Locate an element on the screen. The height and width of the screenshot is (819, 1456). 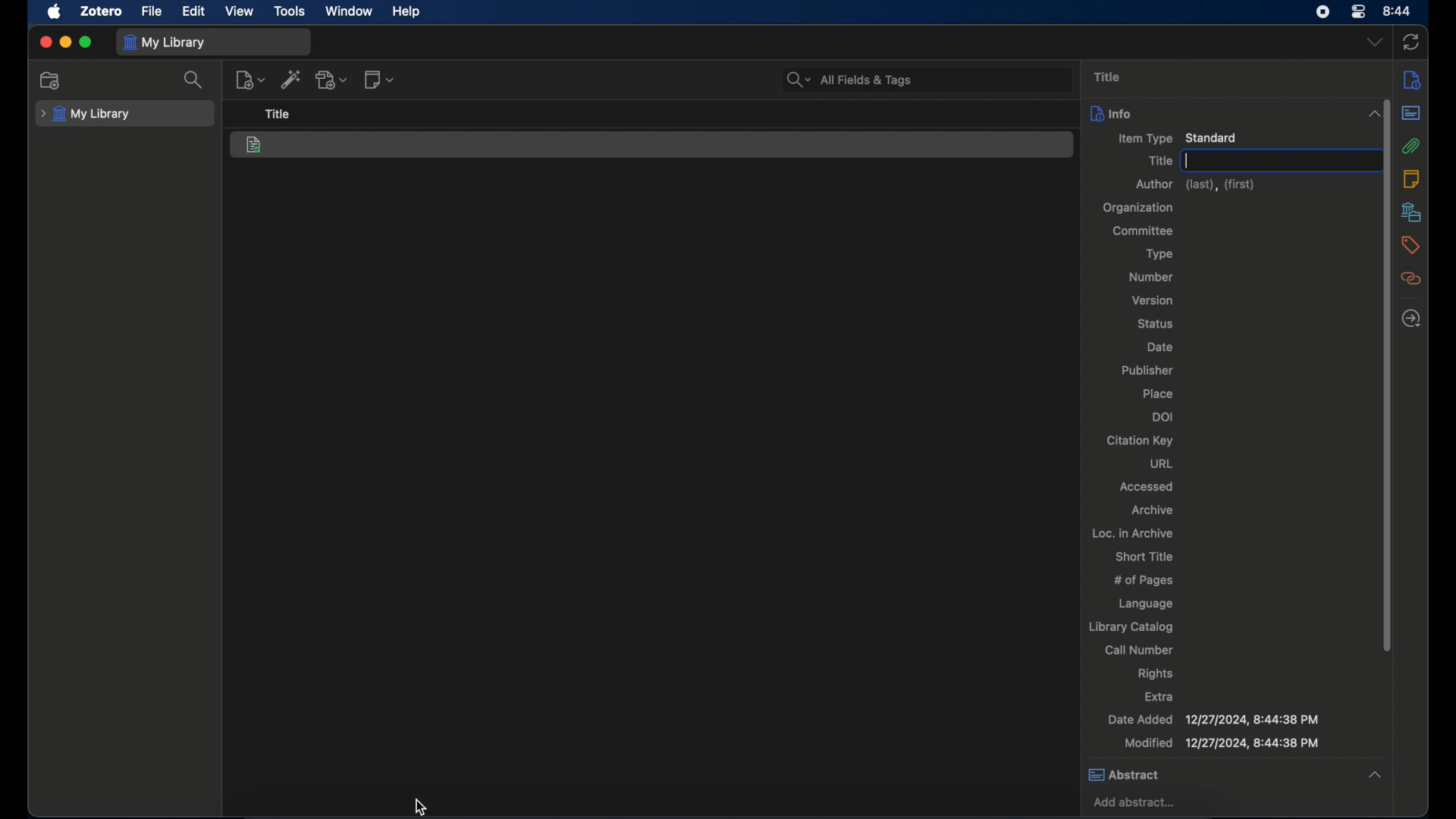
number is located at coordinates (1152, 277).